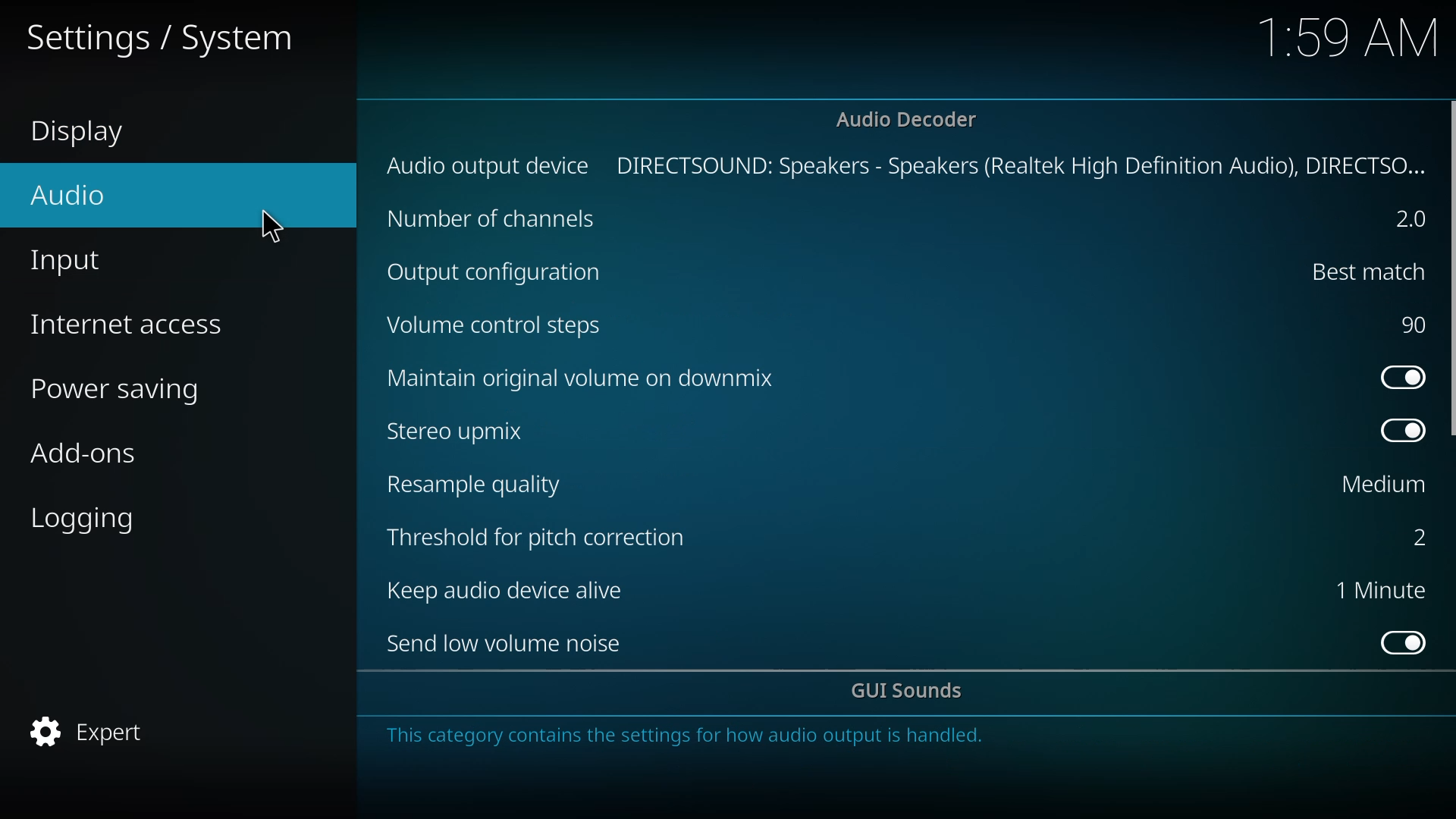 The height and width of the screenshot is (819, 1456). What do you see at coordinates (507, 328) in the screenshot?
I see `volume control steps` at bounding box center [507, 328].